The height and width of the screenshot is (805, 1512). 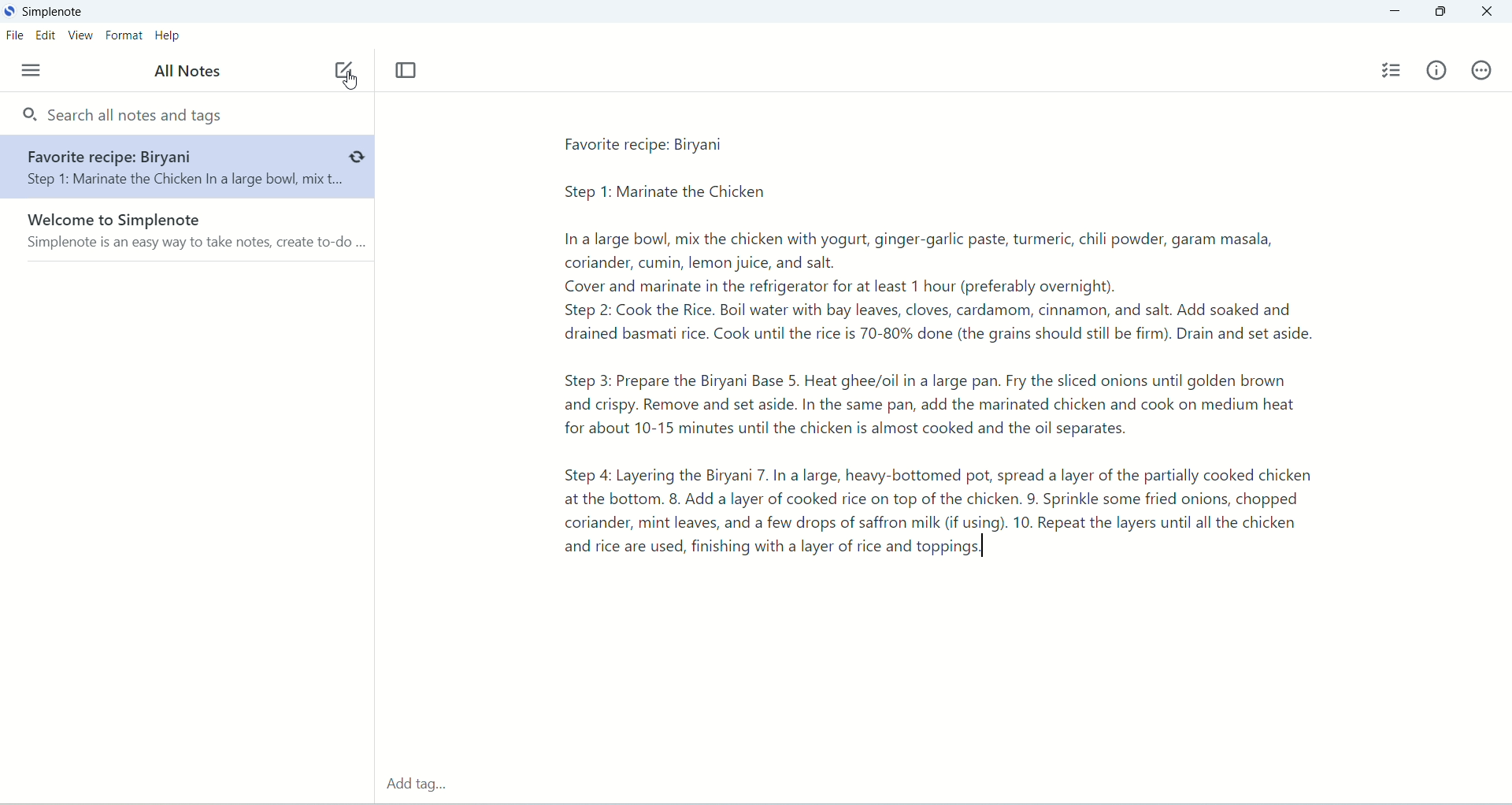 What do you see at coordinates (9, 11) in the screenshot?
I see `logo` at bounding box center [9, 11].